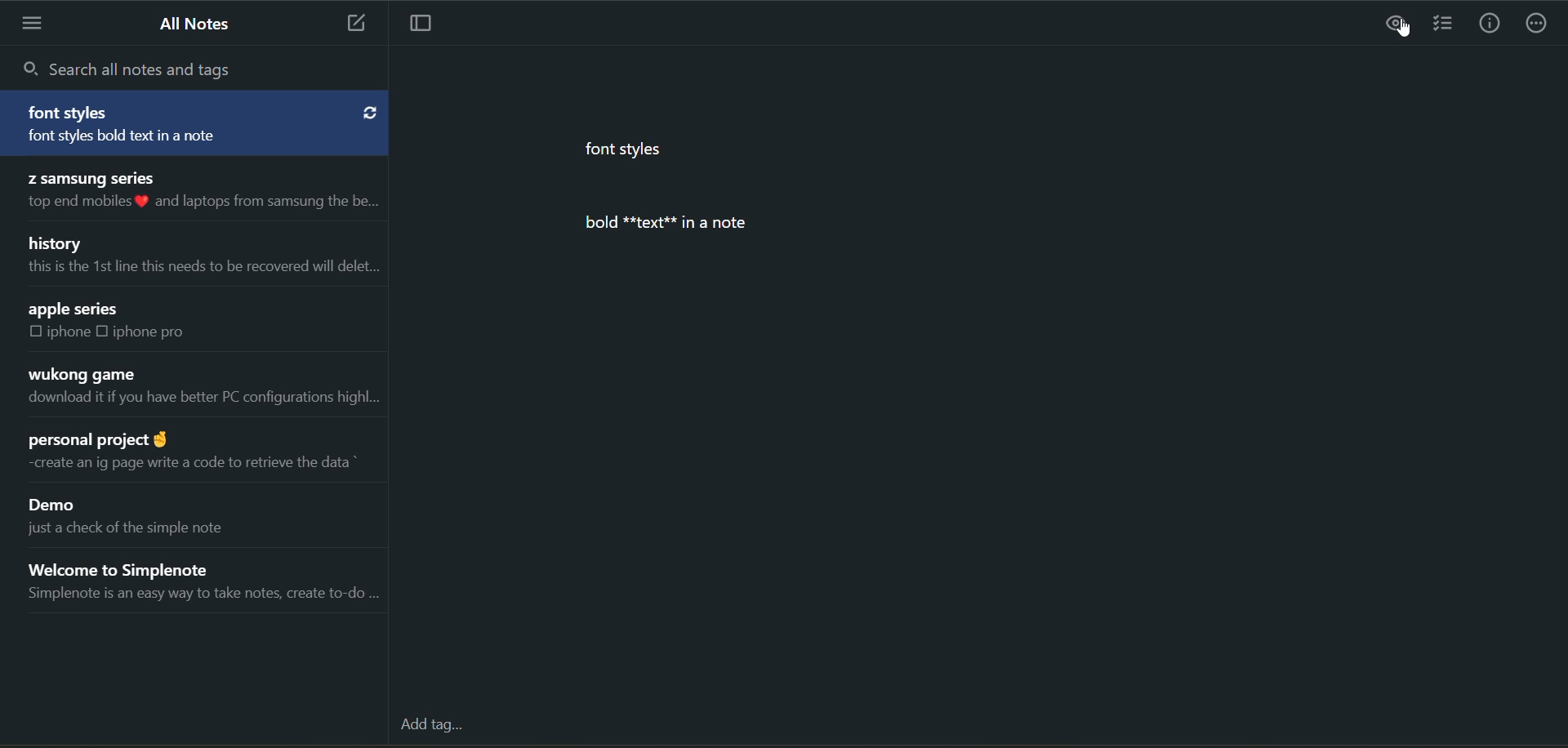  What do you see at coordinates (58, 242) in the screenshot?
I see `history` at bounding box center [58, 242].